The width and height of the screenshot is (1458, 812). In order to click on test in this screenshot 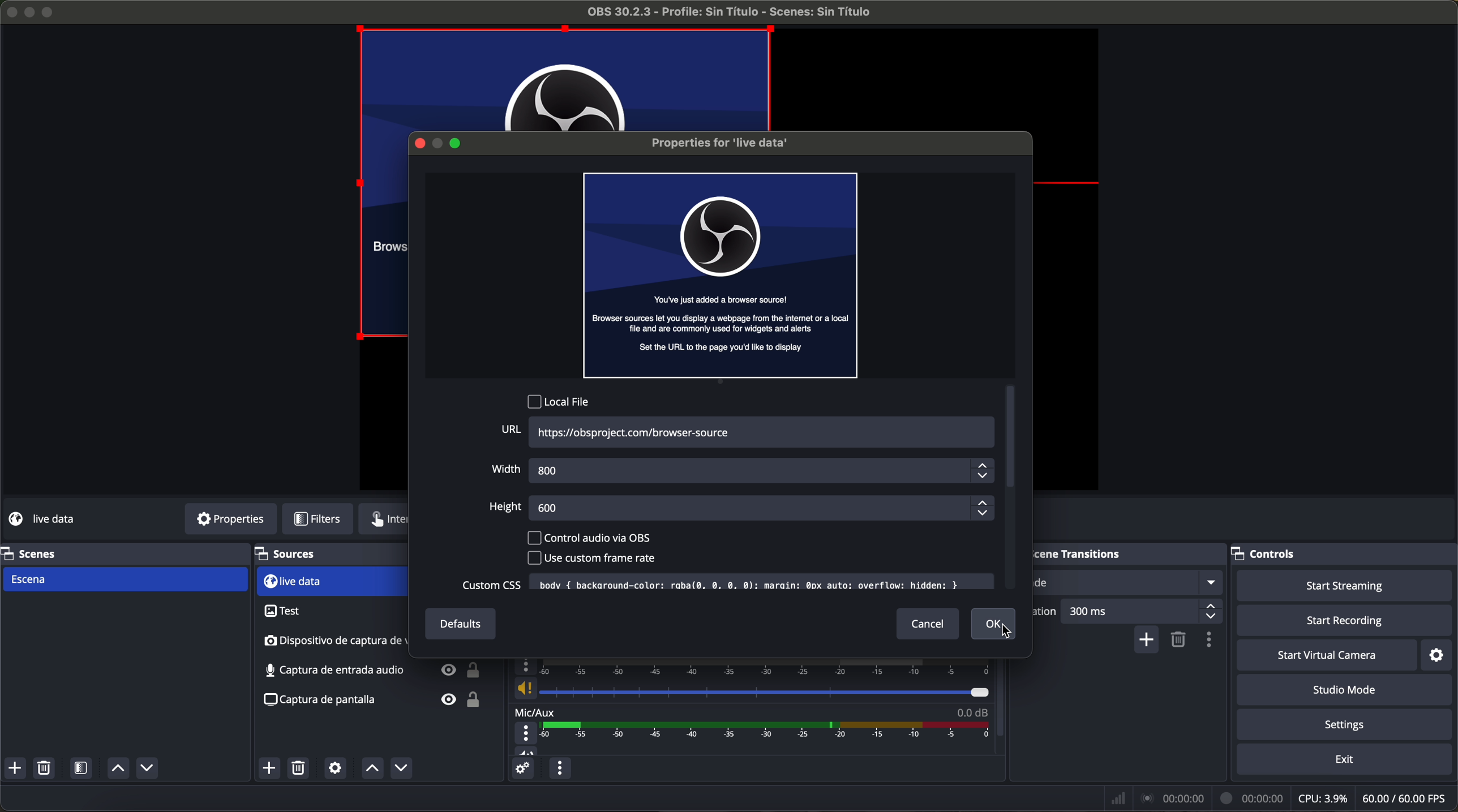, I will do `click(332, 582)`.